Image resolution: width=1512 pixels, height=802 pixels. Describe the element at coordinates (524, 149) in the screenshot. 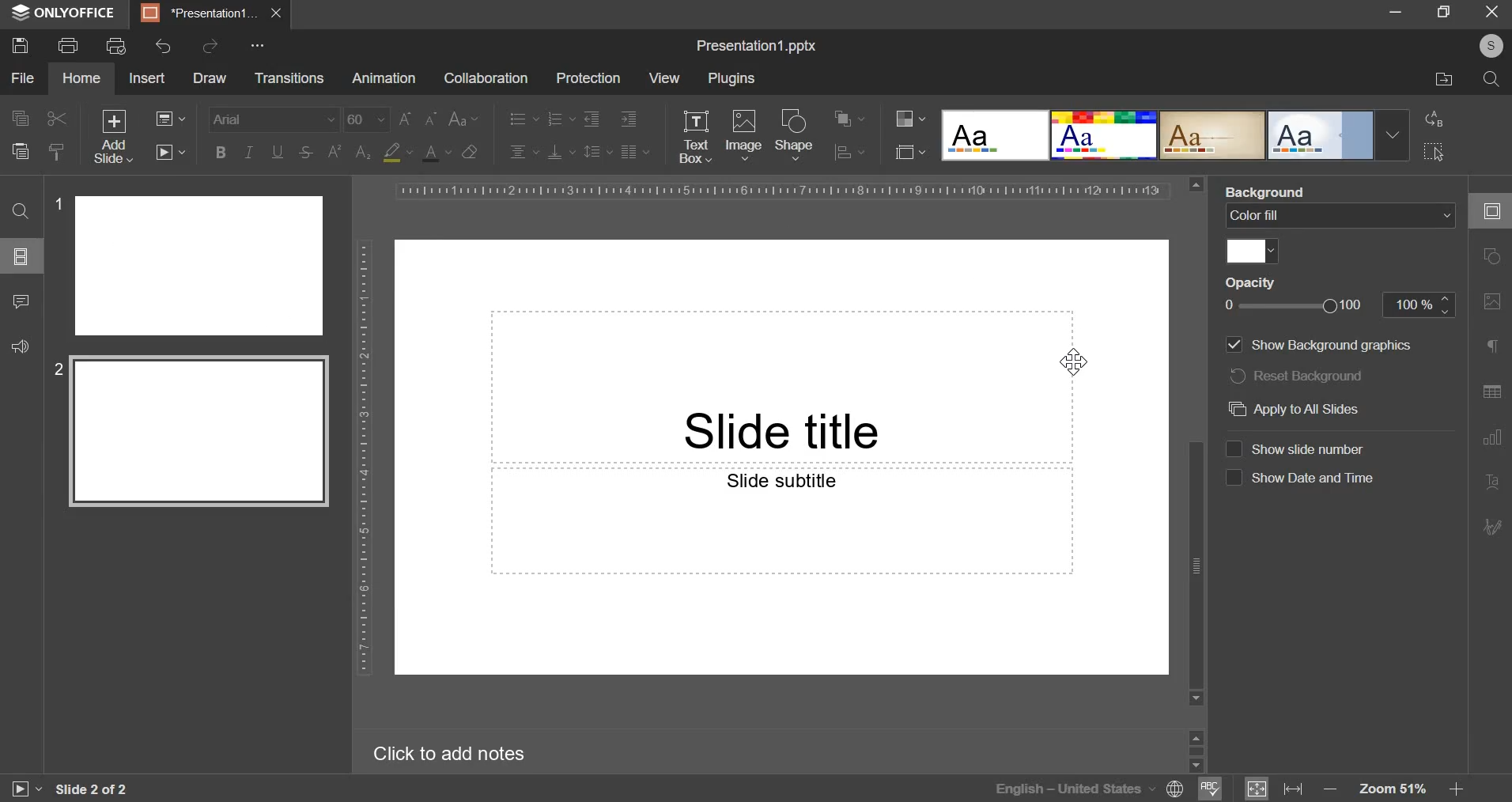

I see `horizontal alignment` at that location.